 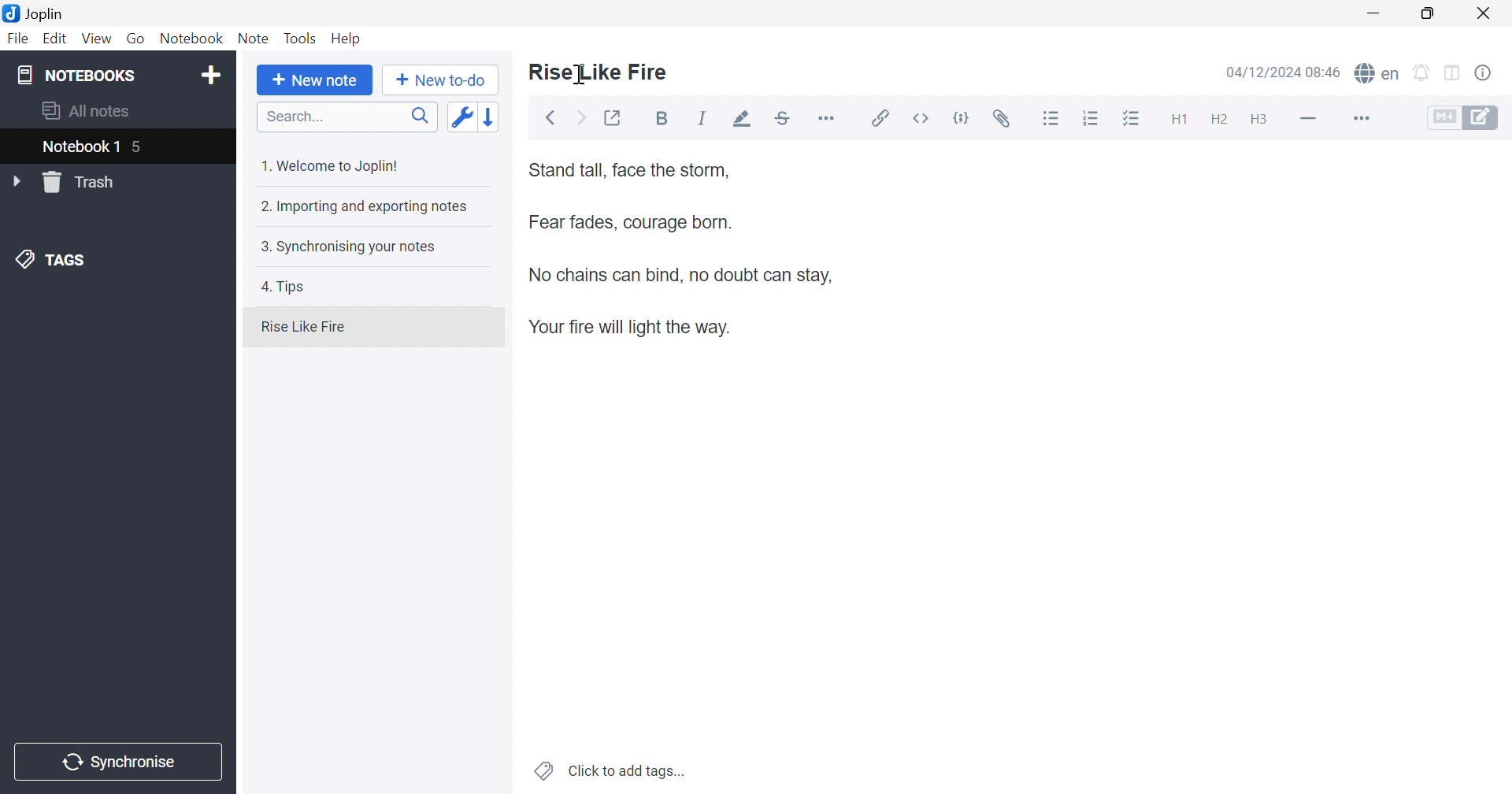 What do you see at coordinates (81, 184) in the screenshot?
I see `Trash` at bounding box center [81, 184].